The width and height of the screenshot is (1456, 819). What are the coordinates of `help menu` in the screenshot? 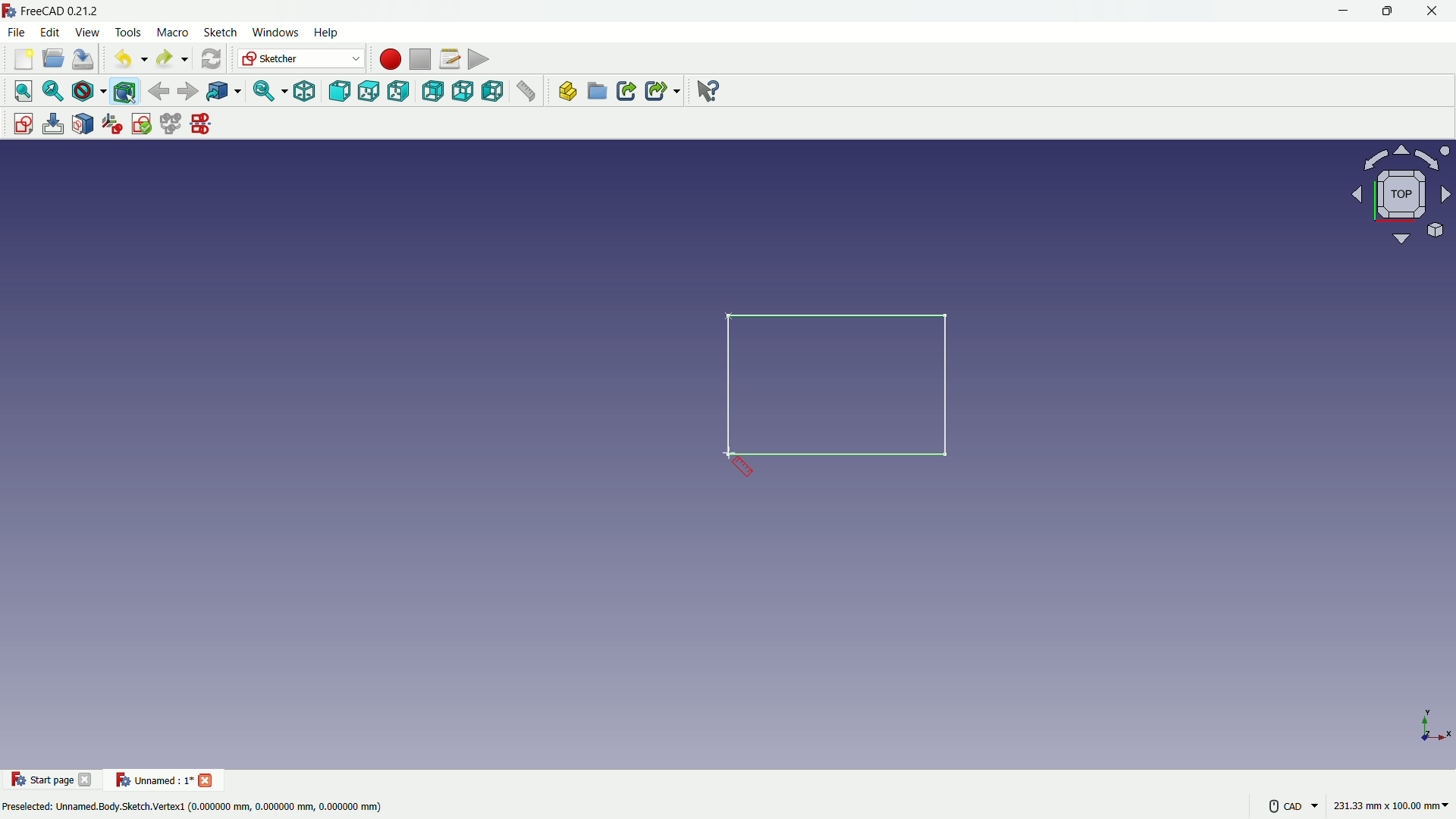 It's located at (328, 33).